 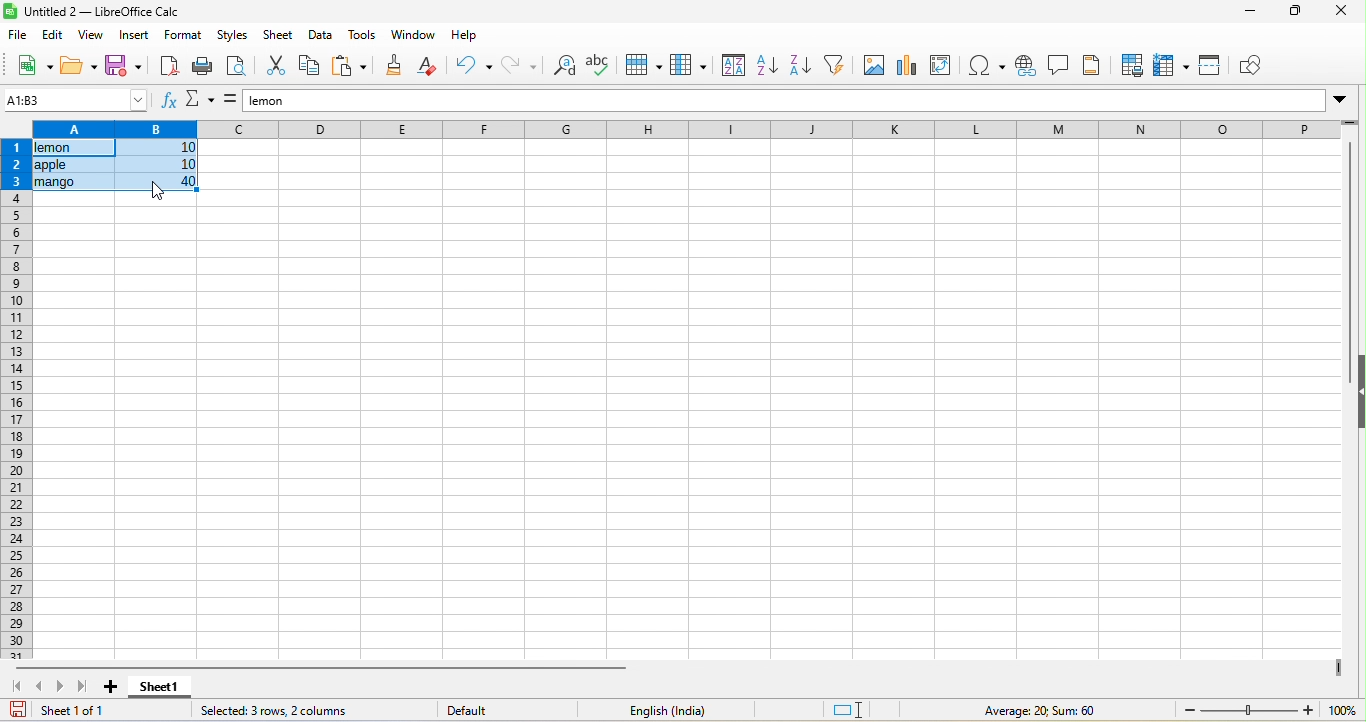 What do you see at coordinates (16, 399) in the screenshot?
I see `rows` at bounding box center [16, 399].